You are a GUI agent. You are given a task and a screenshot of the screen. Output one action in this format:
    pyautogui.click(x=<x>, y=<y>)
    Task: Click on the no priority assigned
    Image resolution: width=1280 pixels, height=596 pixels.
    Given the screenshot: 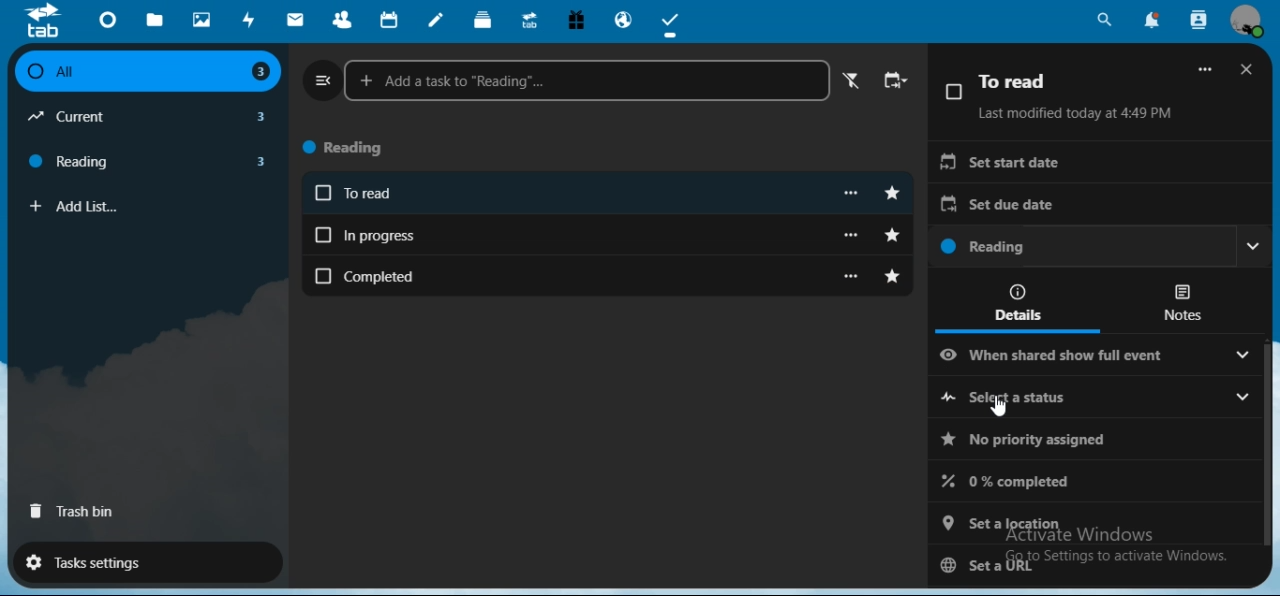 What is the action you would take?
    pyautogui.click(x=1092, y=442)
    